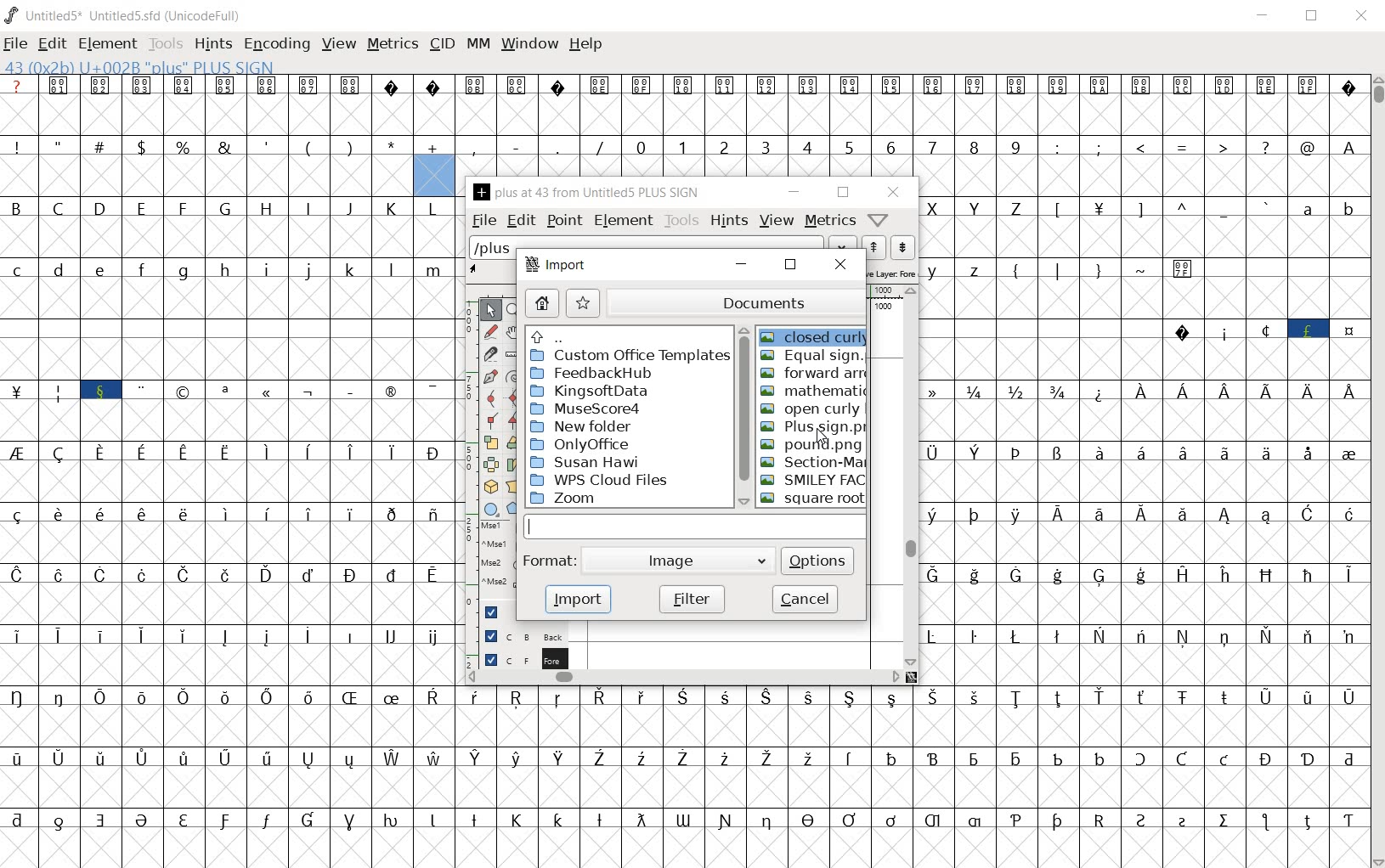 The height and width of the screenshot is (868, 1385). What do you see at coordinates (1042, 351) in the screenshot?
I see `` at bounding box center [1042, 351].